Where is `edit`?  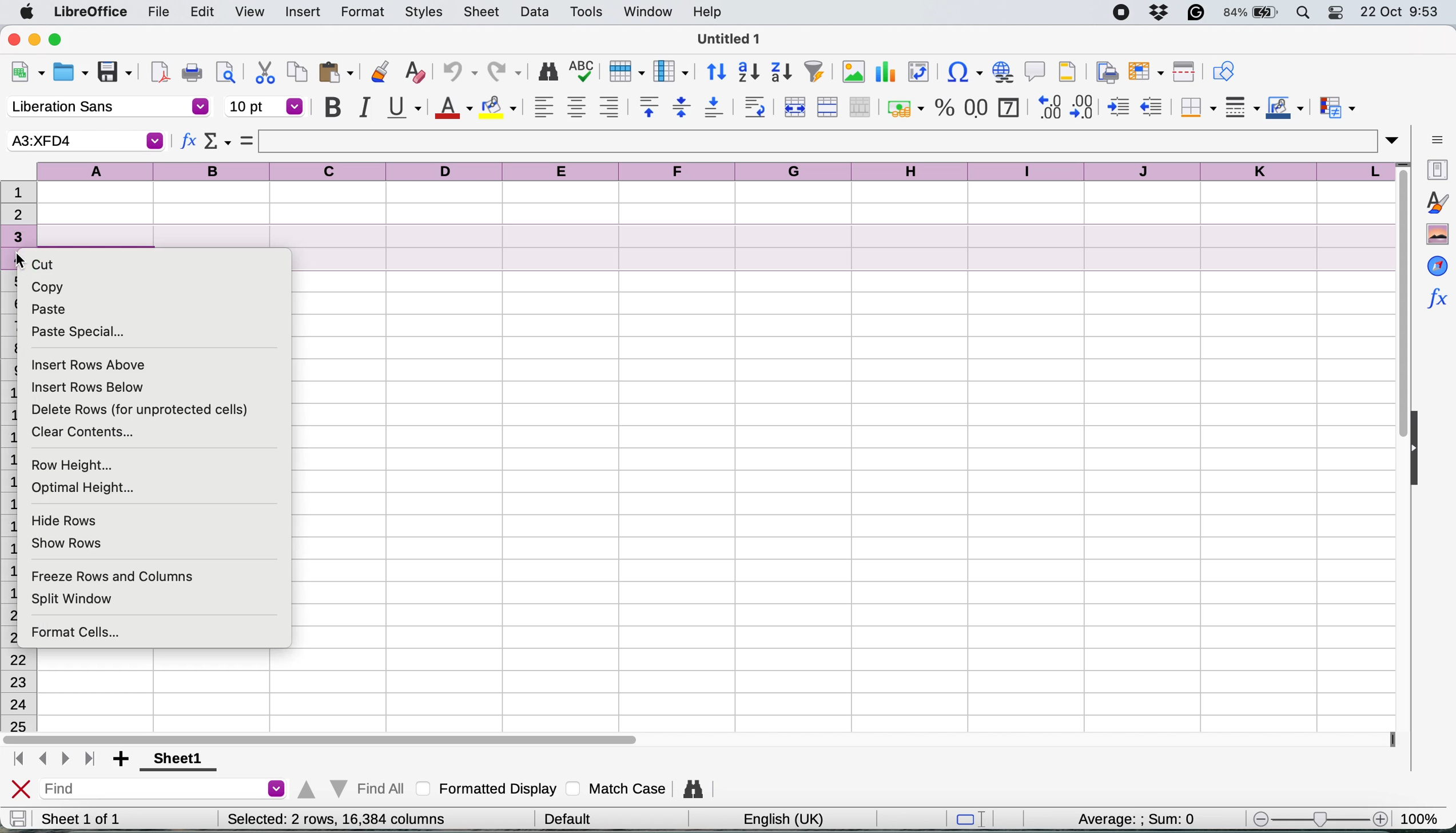
edit is located at coordinates (204, 11).